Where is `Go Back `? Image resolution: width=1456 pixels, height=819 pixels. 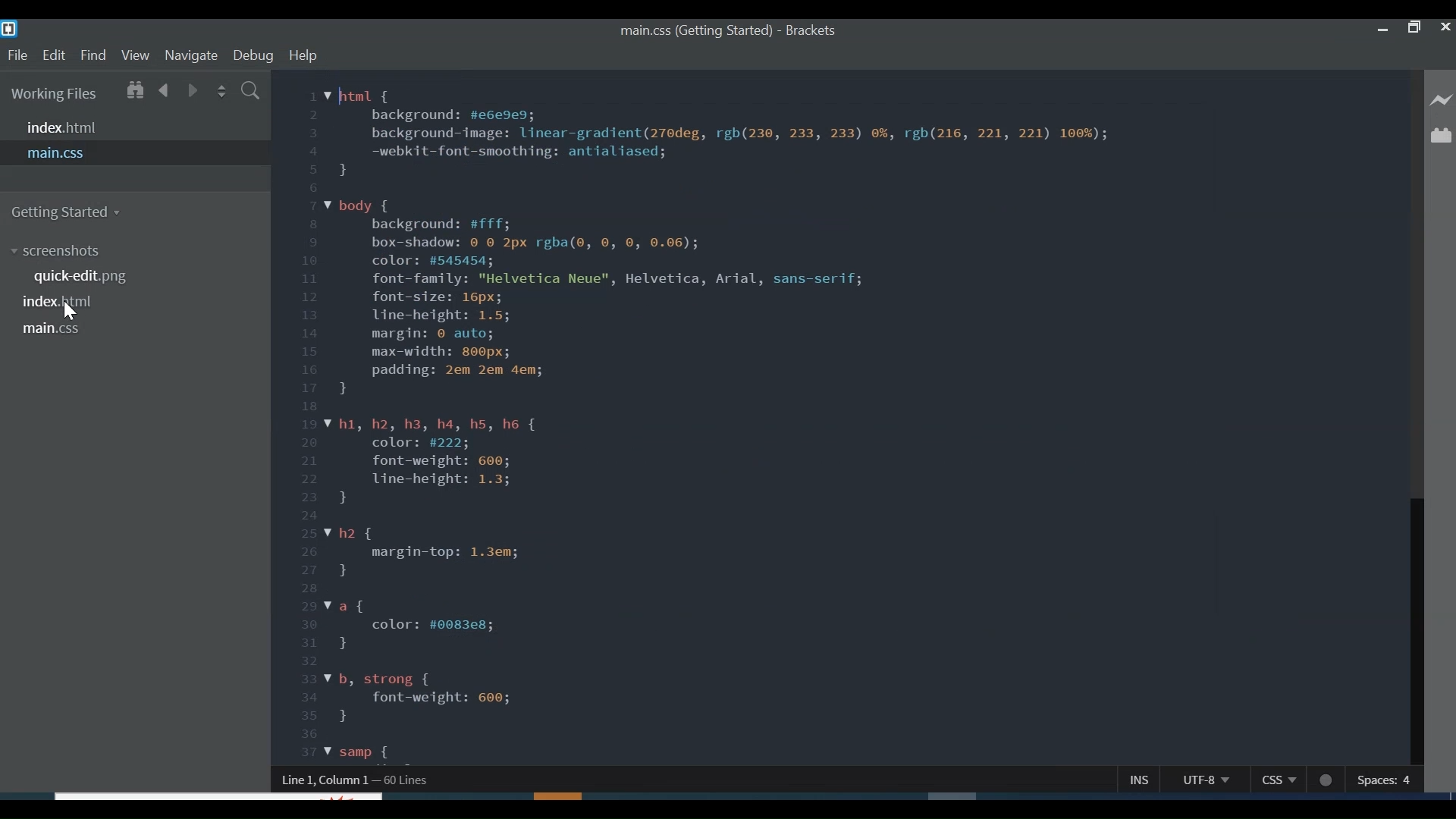 Go Back  is located at coordinates (165, 91).